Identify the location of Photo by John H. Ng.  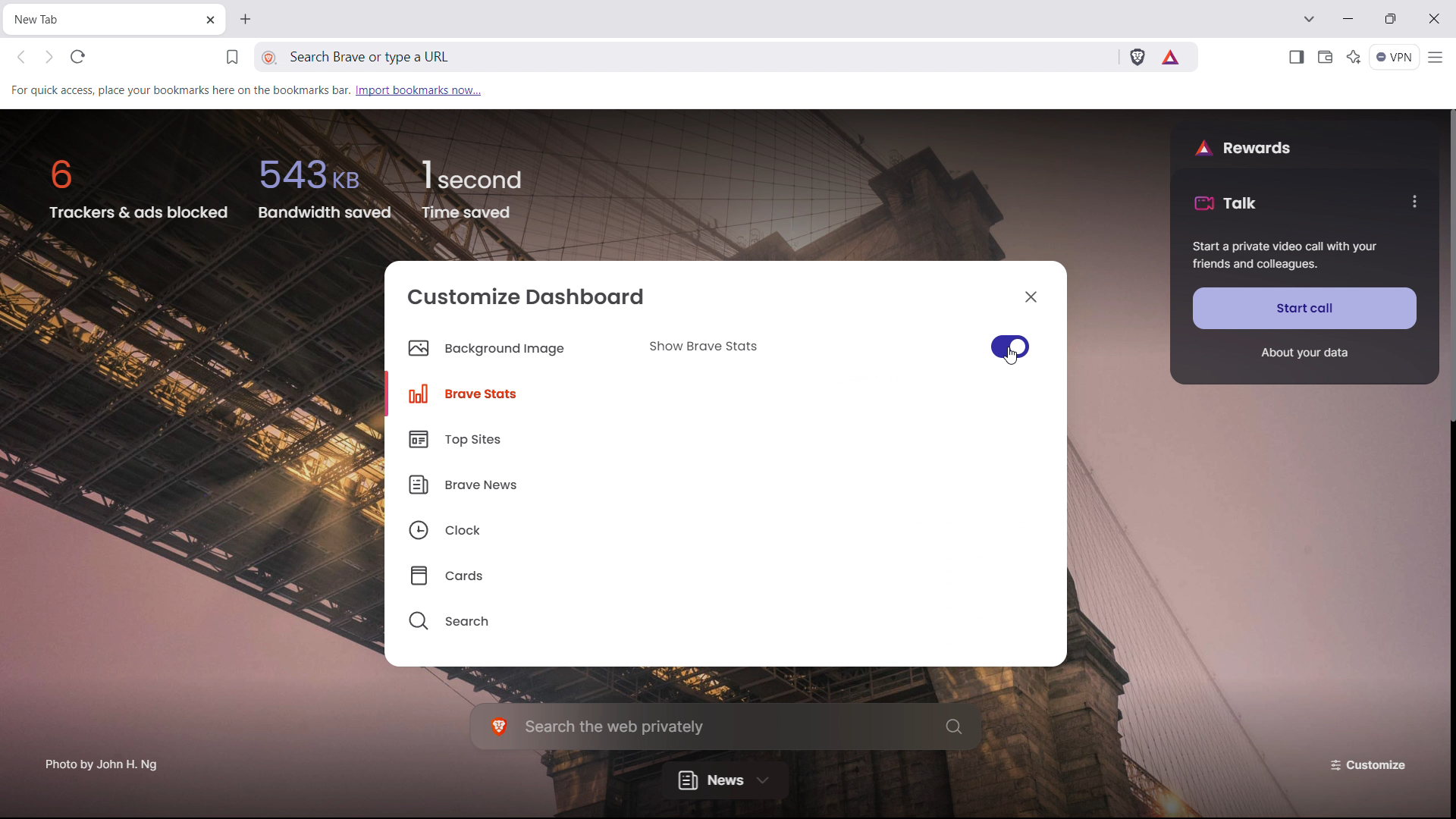
(102, 759).